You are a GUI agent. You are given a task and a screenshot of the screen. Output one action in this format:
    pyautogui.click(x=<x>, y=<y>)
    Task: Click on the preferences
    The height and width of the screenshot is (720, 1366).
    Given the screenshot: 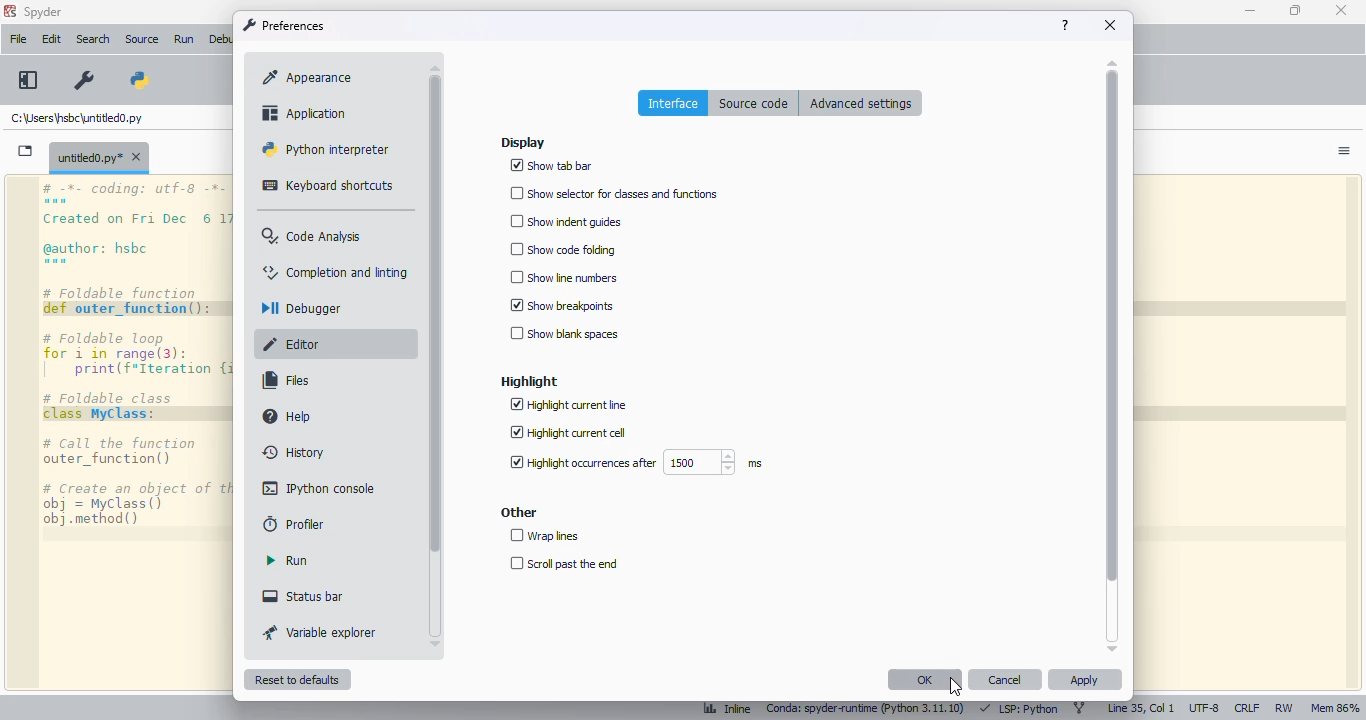 What is the action you would take?
    pyautogui.click(x=82, y=81)
    